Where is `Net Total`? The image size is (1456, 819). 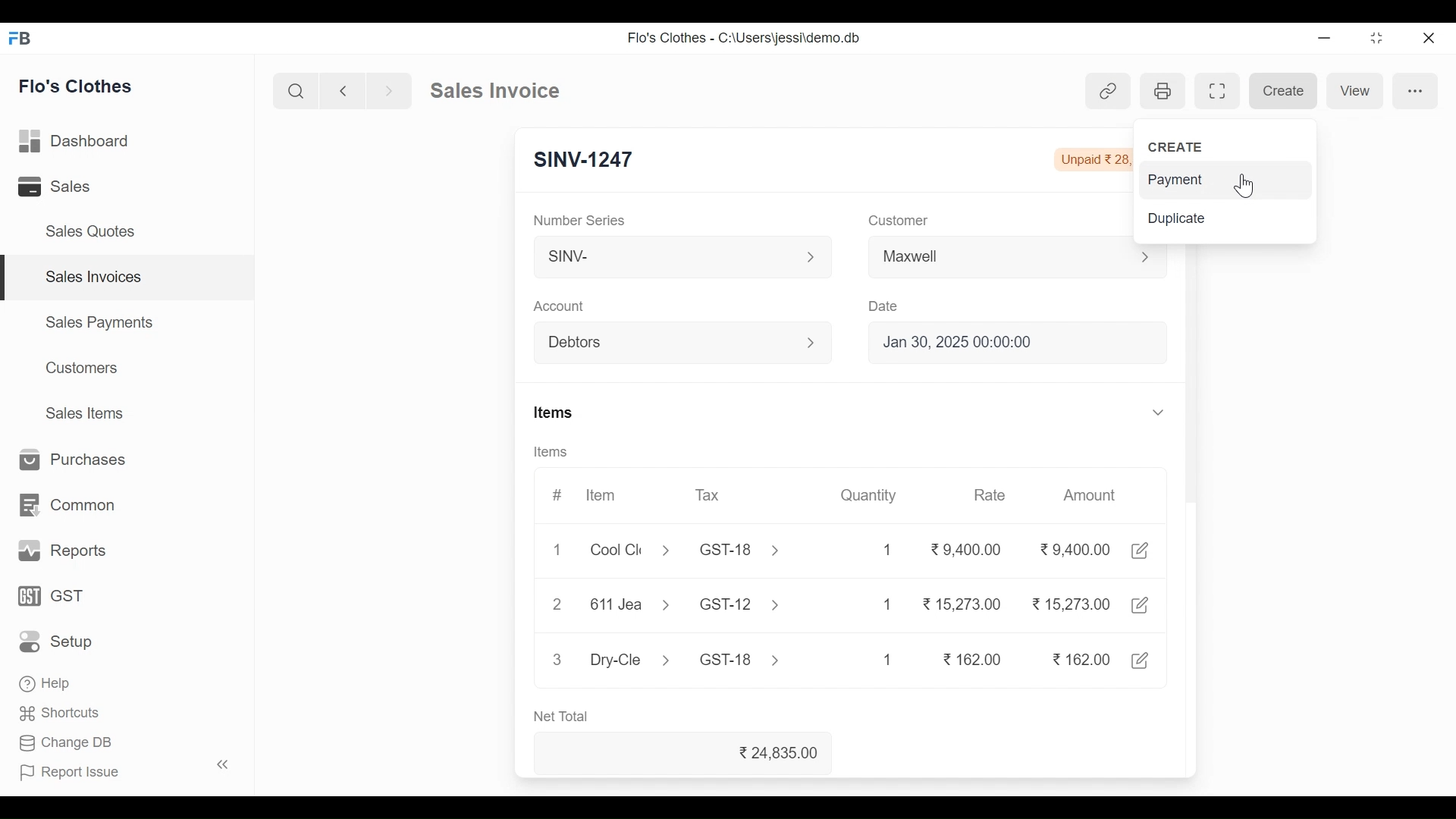 Net Total is located at coordinates (566, 717).